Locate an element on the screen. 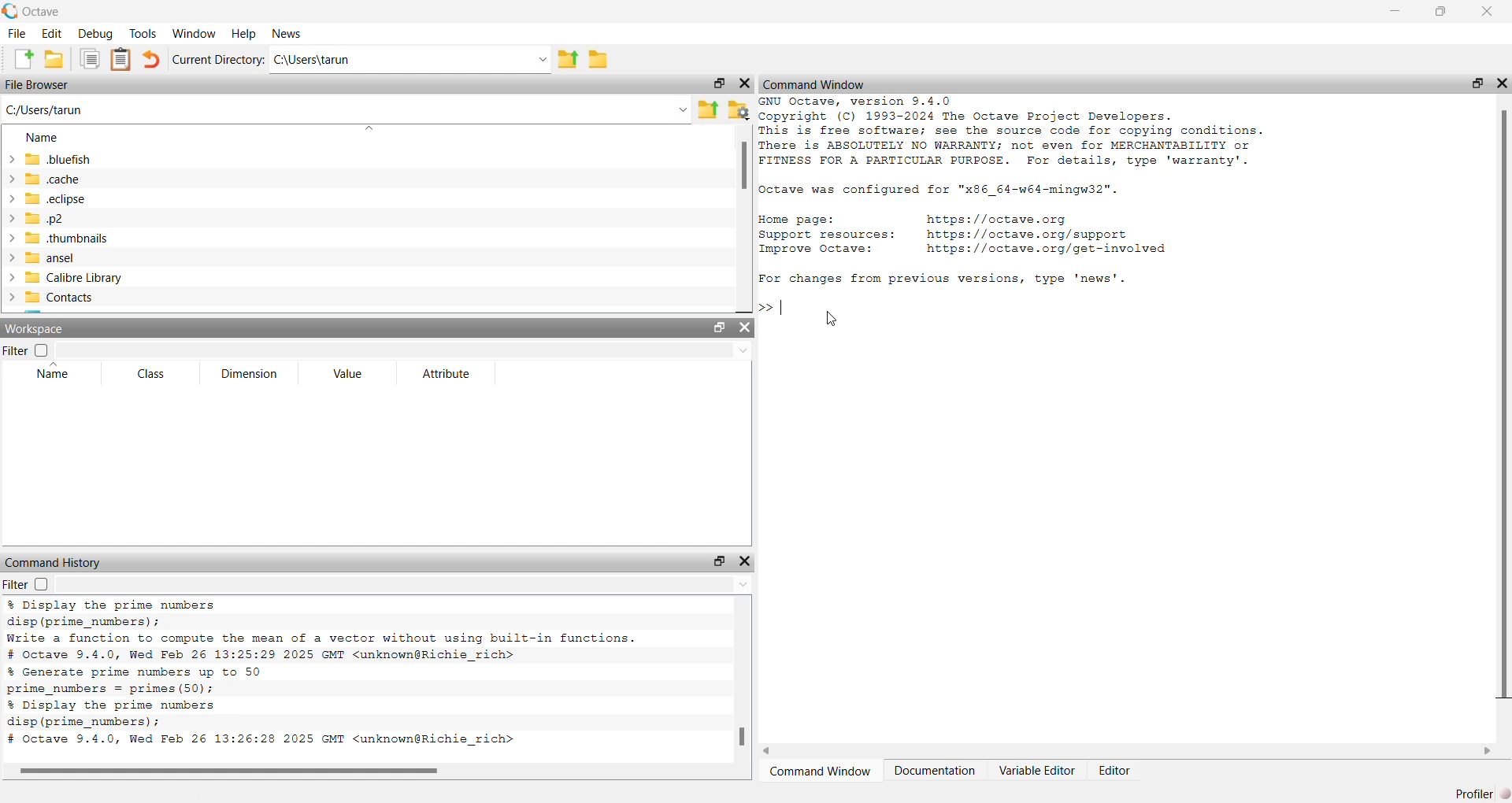 The height and width of the screenshot is (803, 1512). scroll bar is located at coordinates (230, 772).